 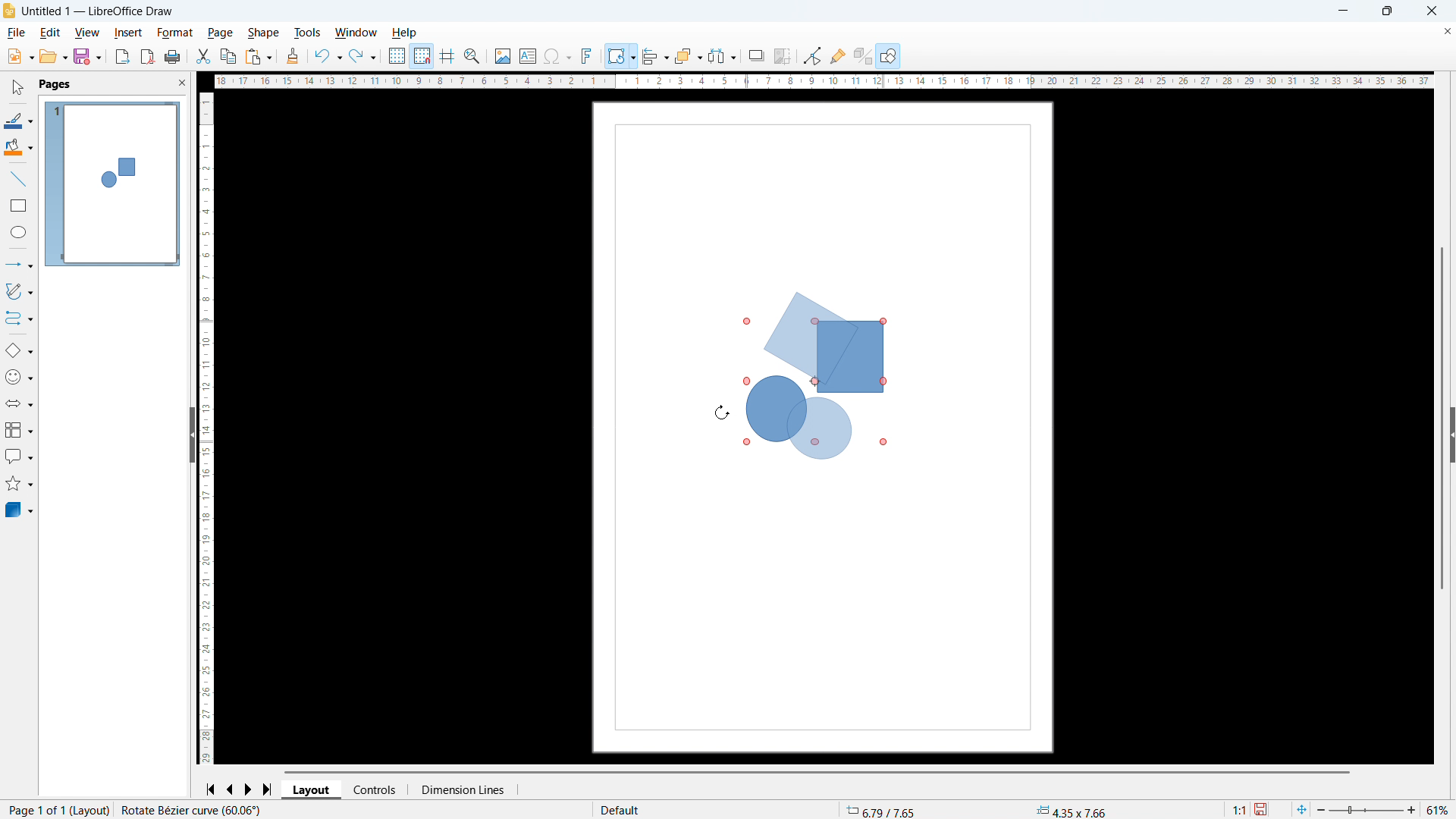 I want to click on 3D objects , so click(x=20, y=510).